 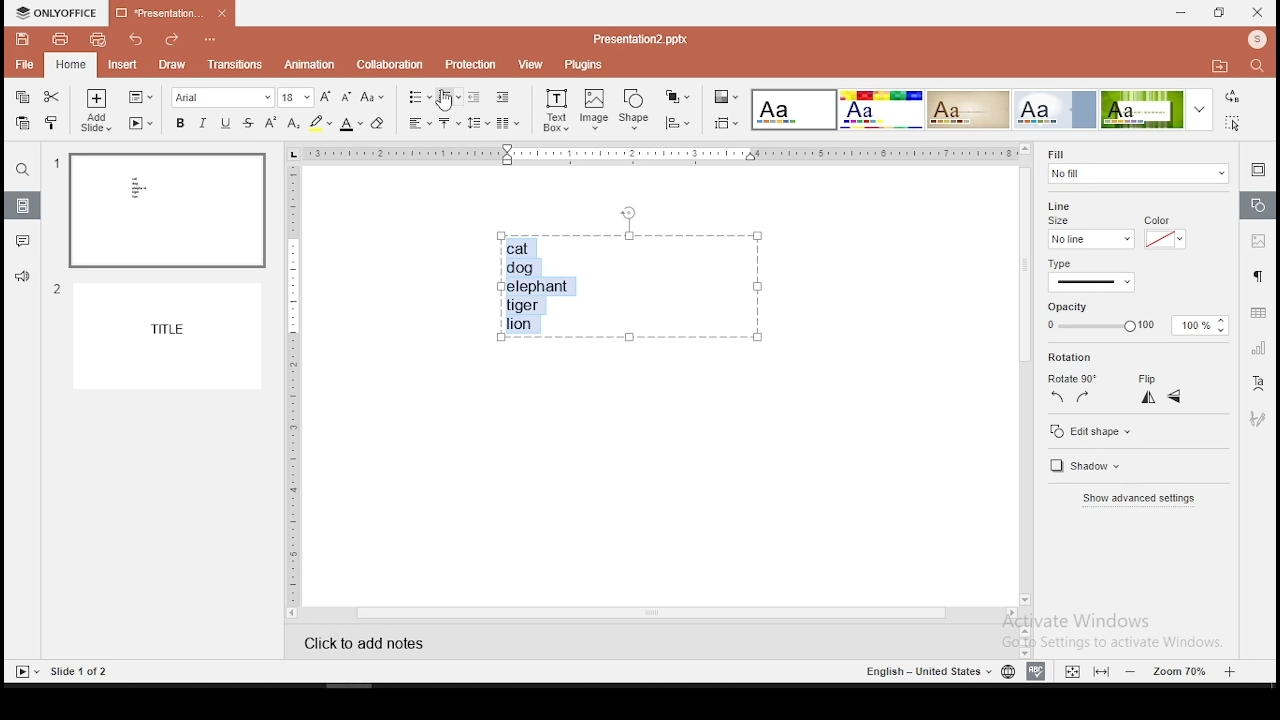 I want to click on protection, so click(x=470, y=63).